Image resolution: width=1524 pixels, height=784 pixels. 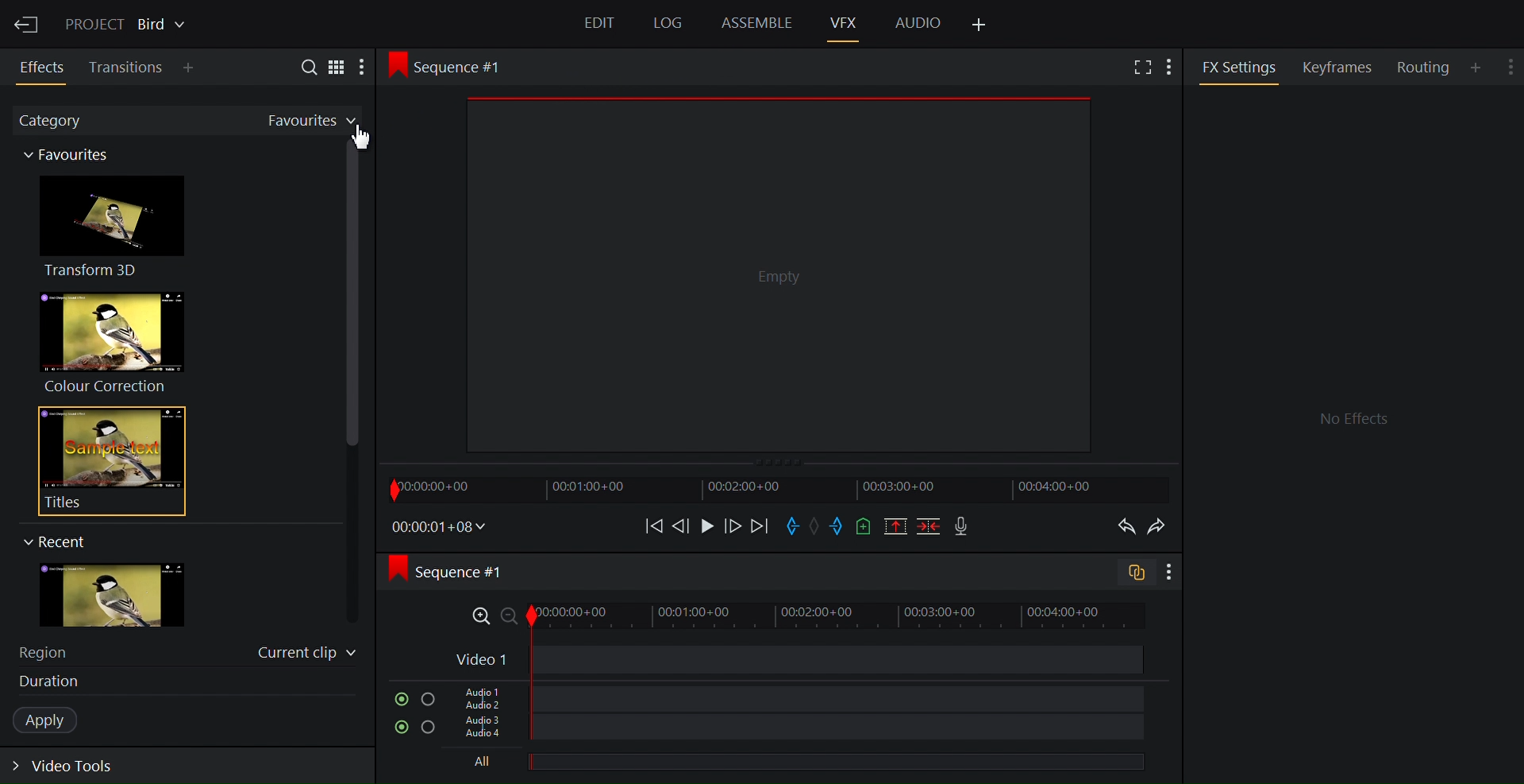 What do you see at coordinates (1512, 63) in the screenshot?
I see `Show settings menu` at bounding box center [1512, 63].